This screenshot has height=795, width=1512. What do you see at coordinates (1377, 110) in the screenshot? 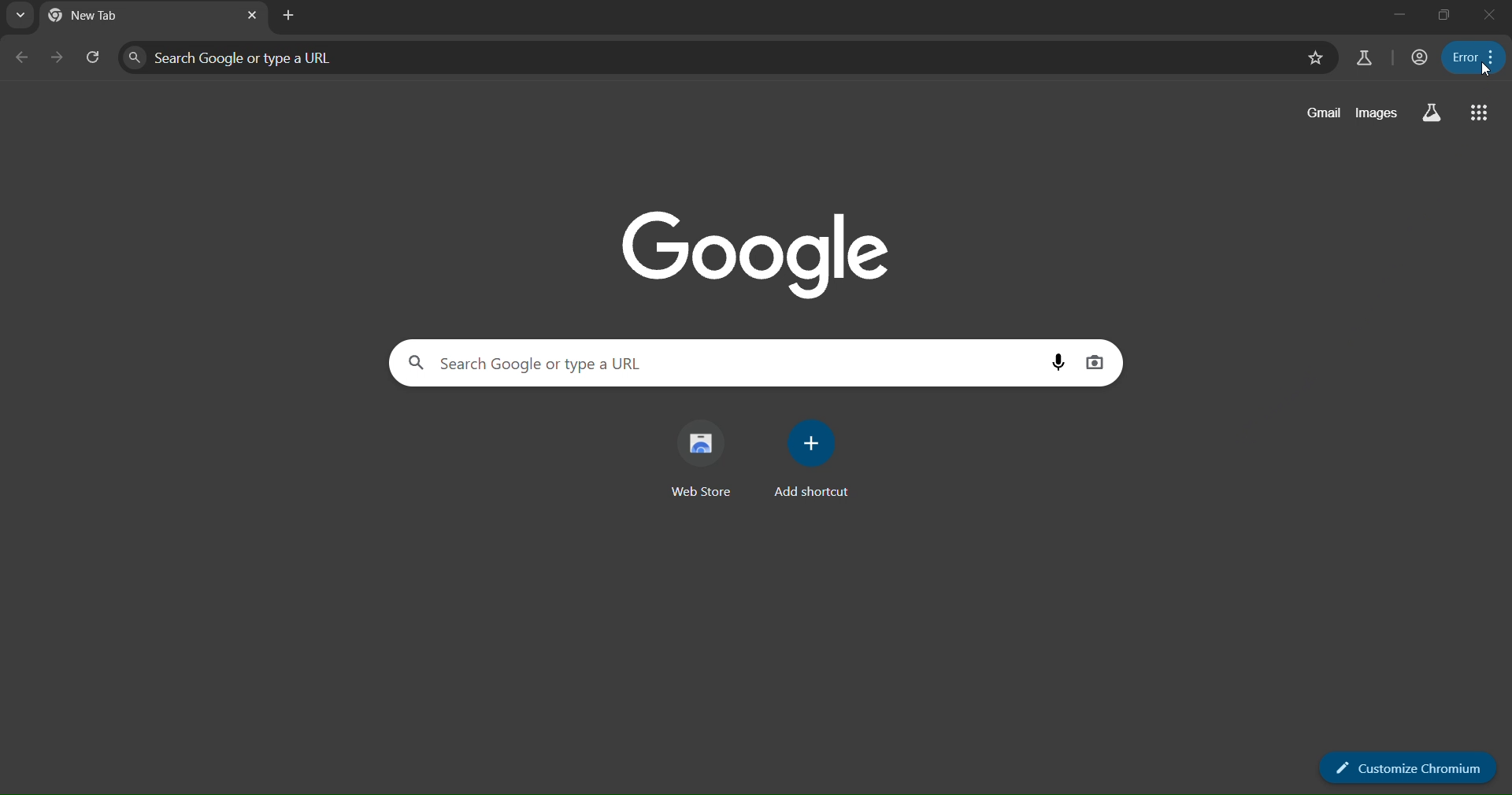
I see `images` at bounding box center [1377, 110].